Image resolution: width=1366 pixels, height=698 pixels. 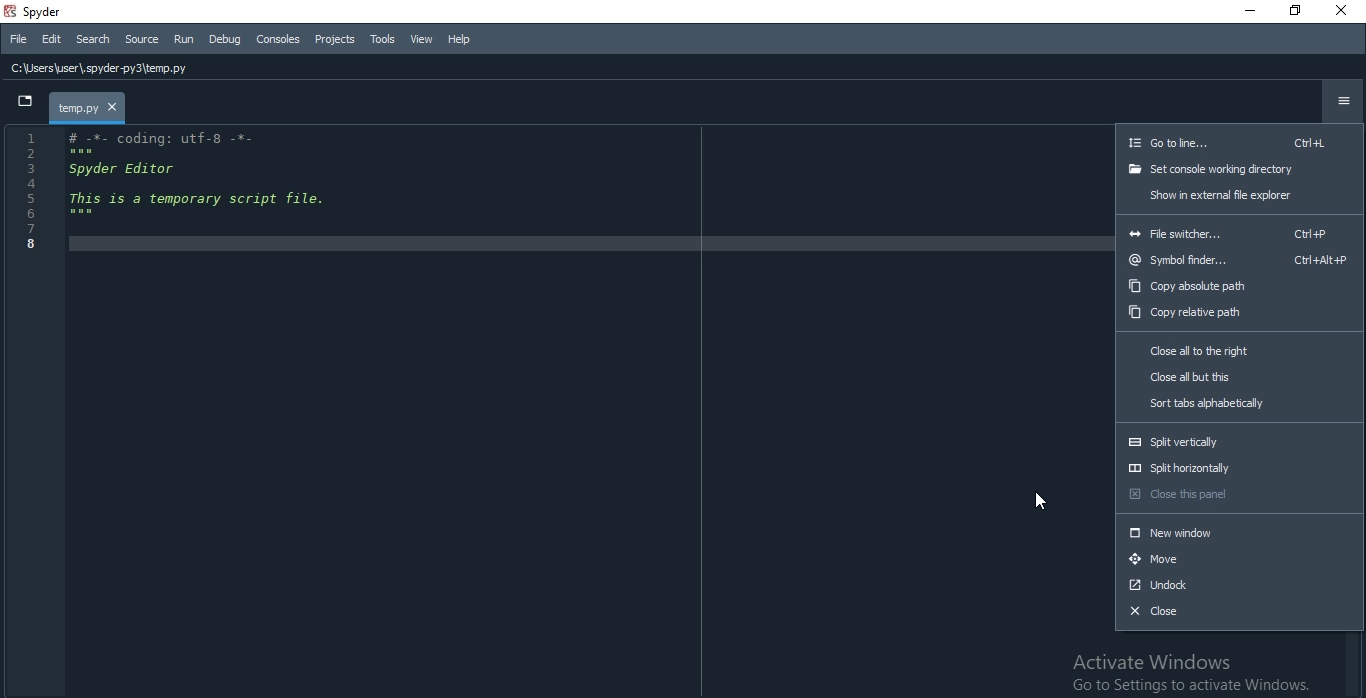 I want to click on new window, so click(x=1238, y=533).